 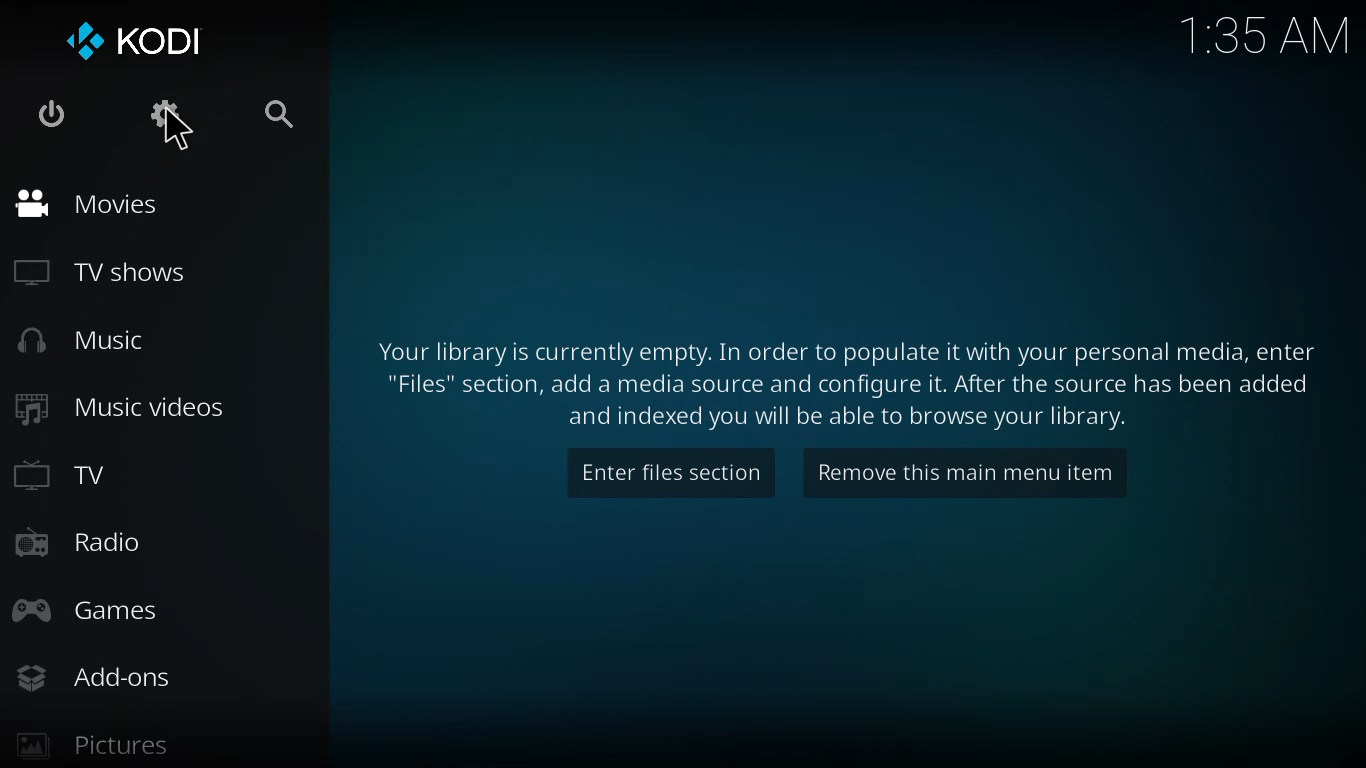 I want to click on pictures, so click(x=89, y=747).